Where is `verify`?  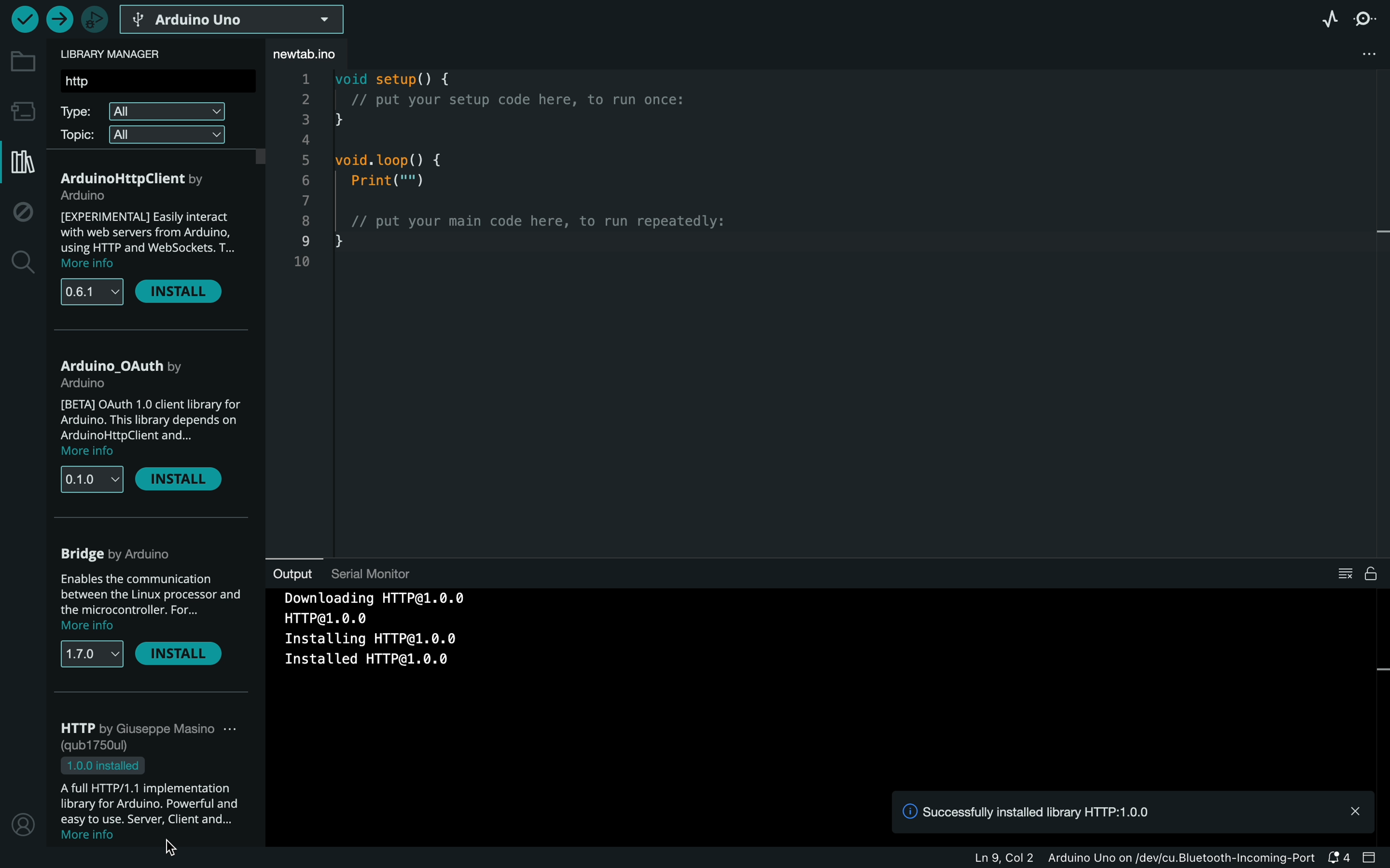
verify is located at coordinates (23, 18).